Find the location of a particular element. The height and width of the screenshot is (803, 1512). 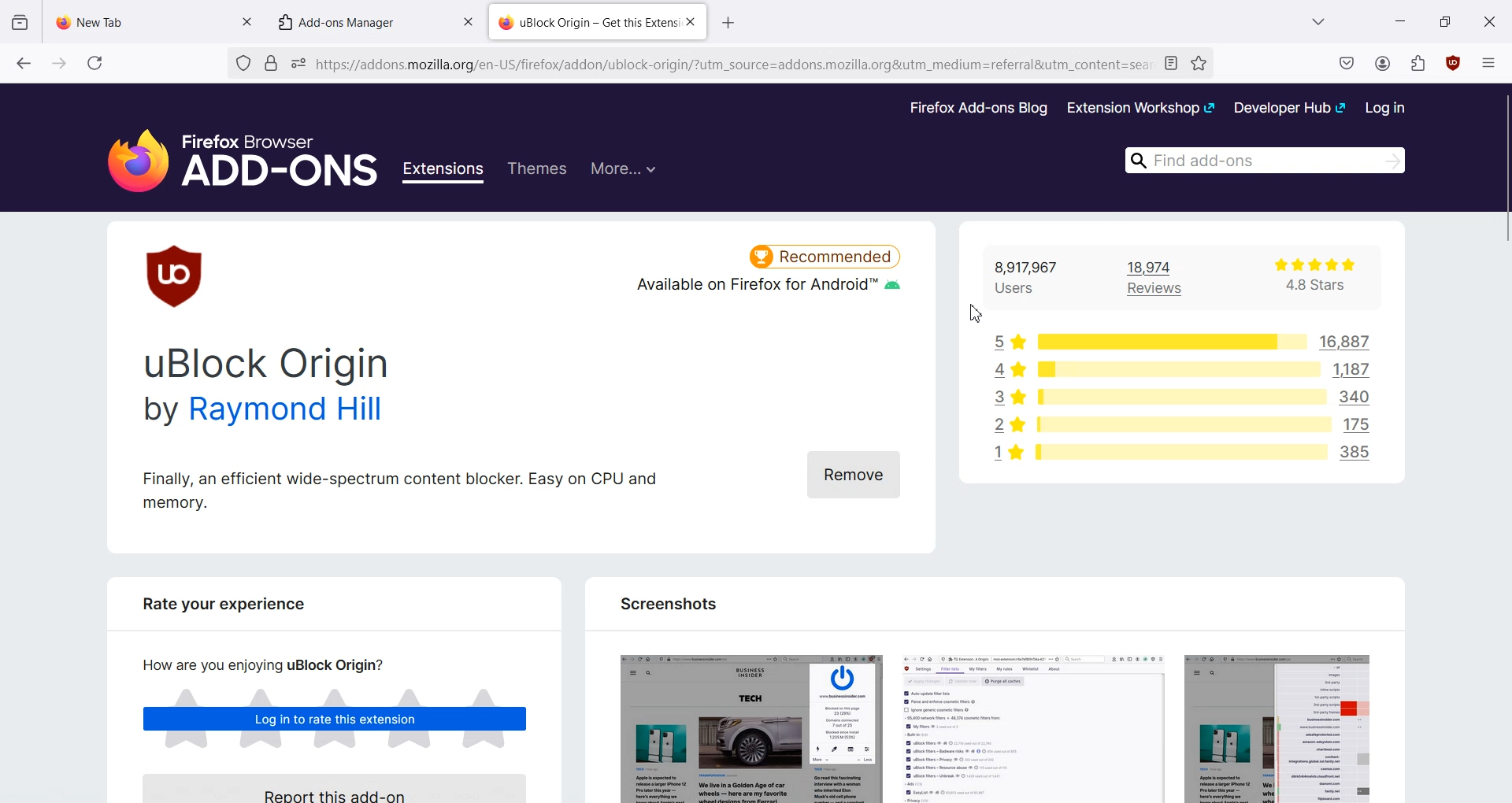

Verified by Digicert.Inc is located at coordinates (270, 64).